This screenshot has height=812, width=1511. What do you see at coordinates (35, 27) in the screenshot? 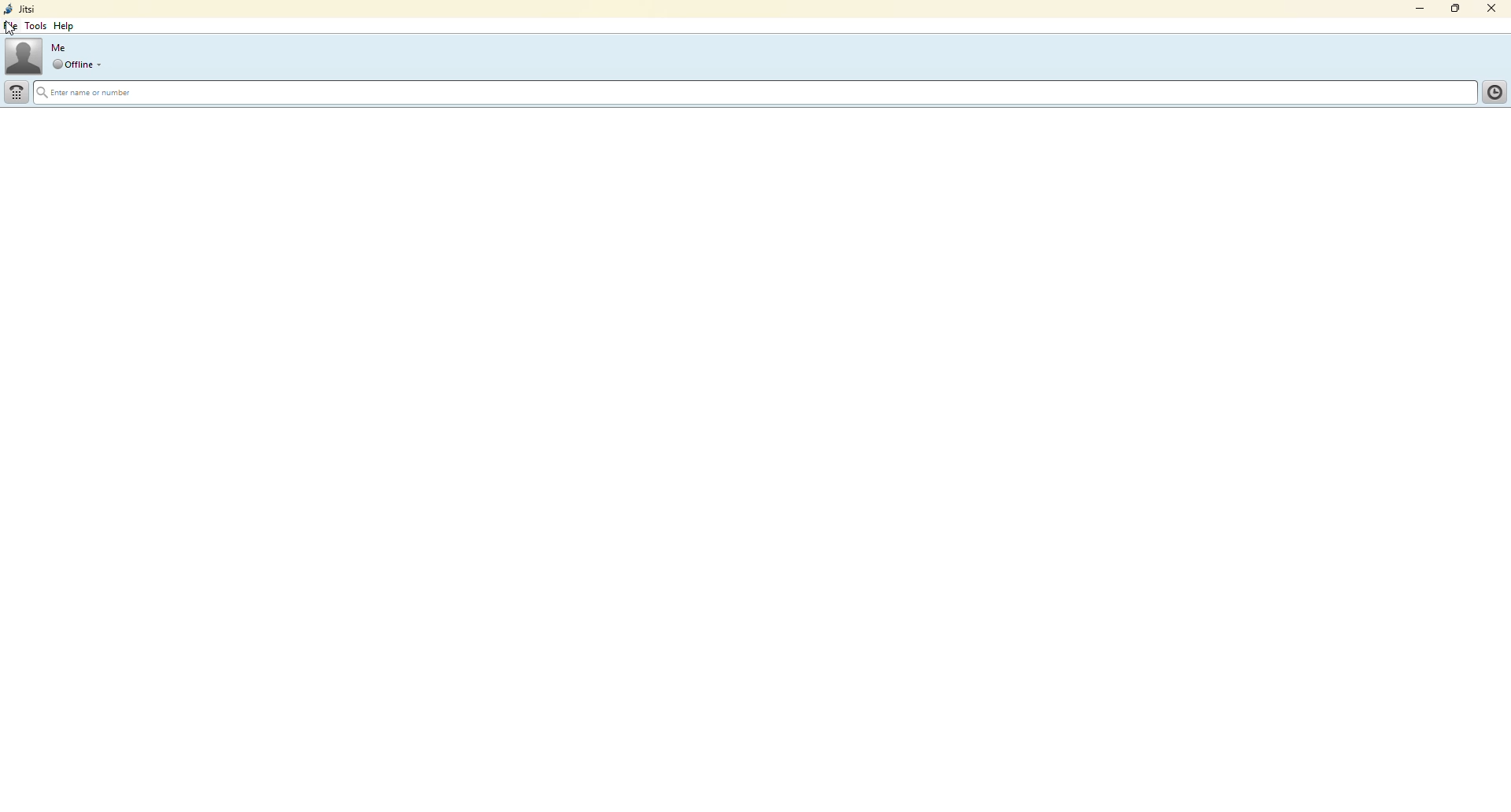
I see `tools` at bounding box center [35, 27].